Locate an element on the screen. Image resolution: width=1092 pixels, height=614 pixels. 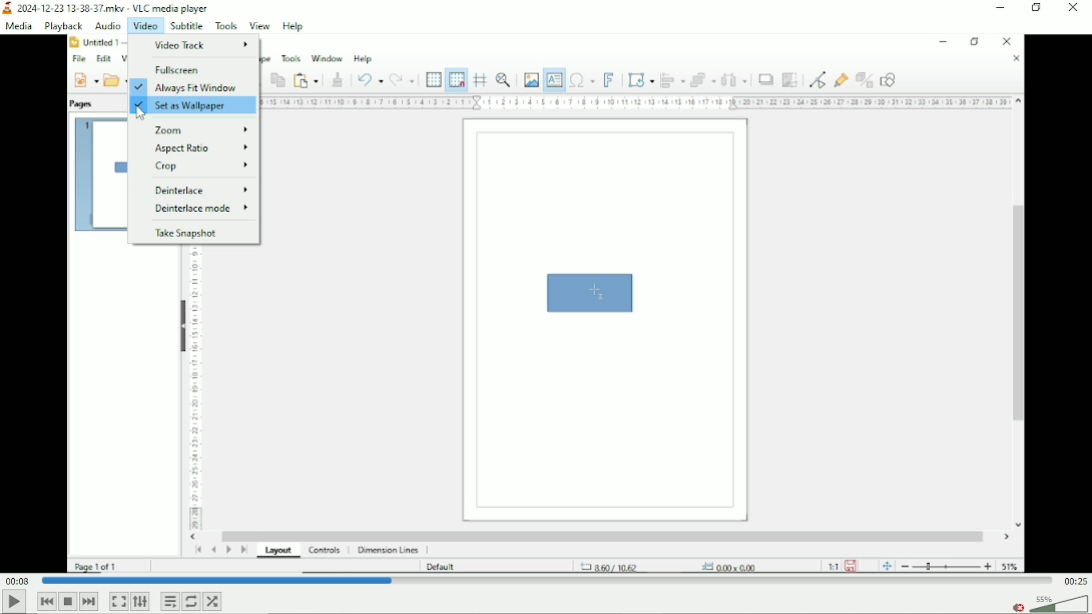
2024-12-23 13-38-37.mkv VLC media player is located at coordinates (117, 7).